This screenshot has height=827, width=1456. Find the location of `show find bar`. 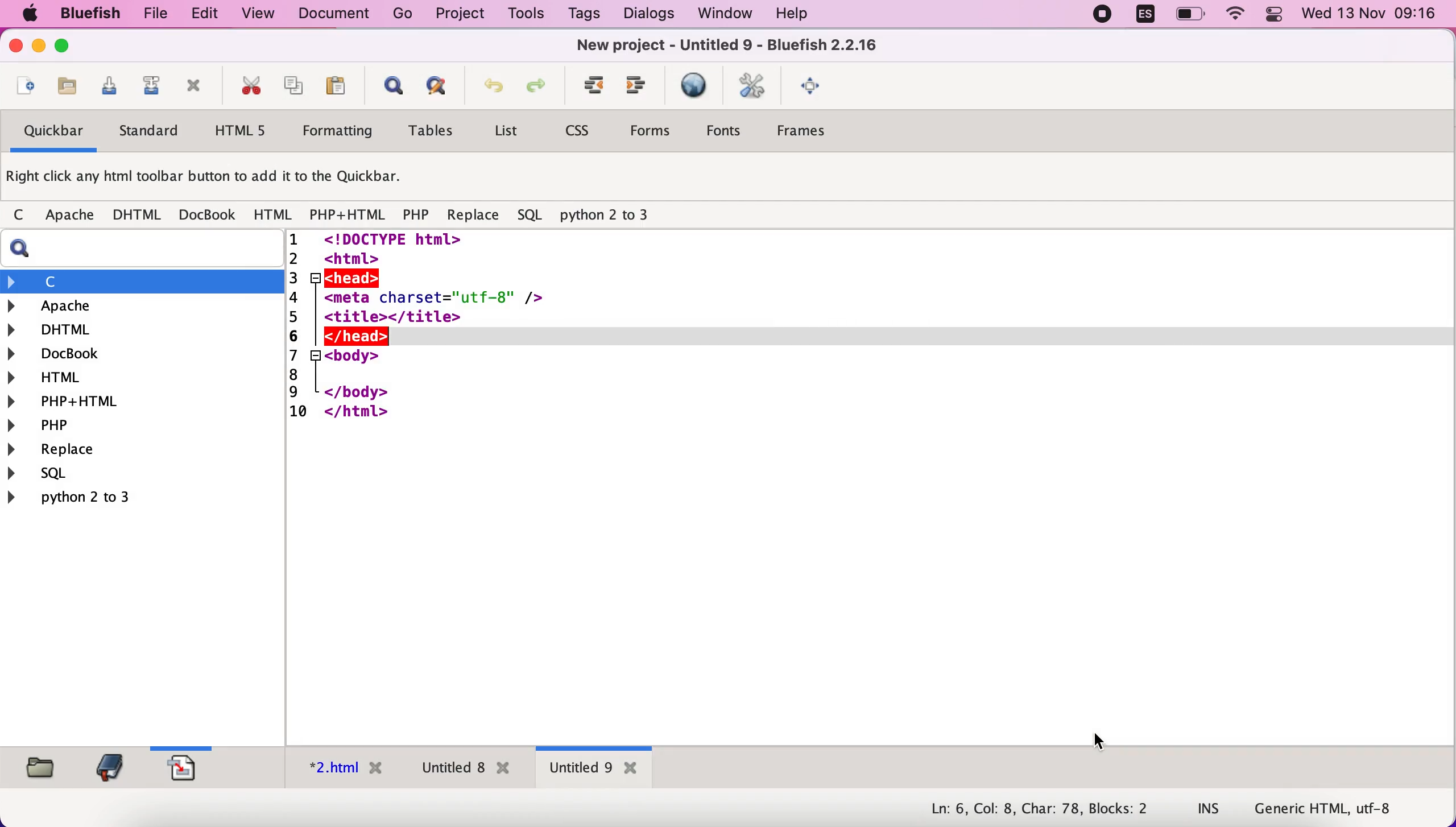

show find bar is located at coordinates (388, 89).